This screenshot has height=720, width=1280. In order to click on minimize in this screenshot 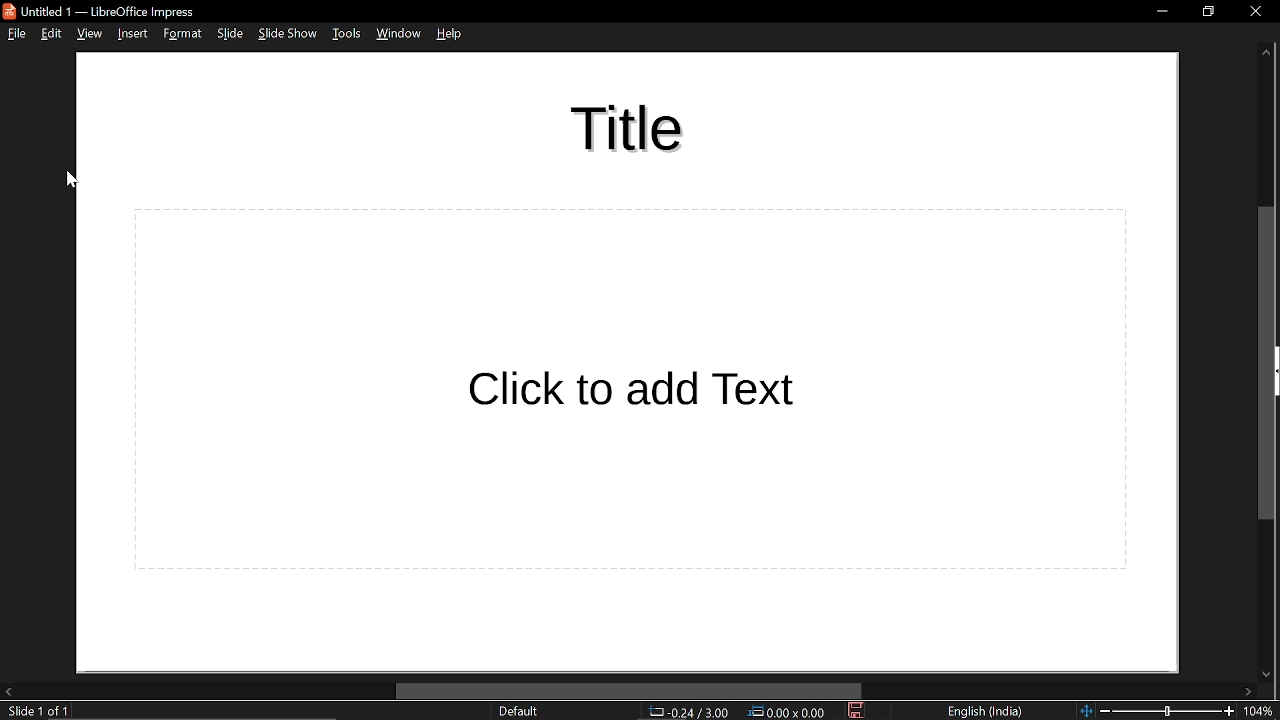, I will do `click(1161, 12)`.